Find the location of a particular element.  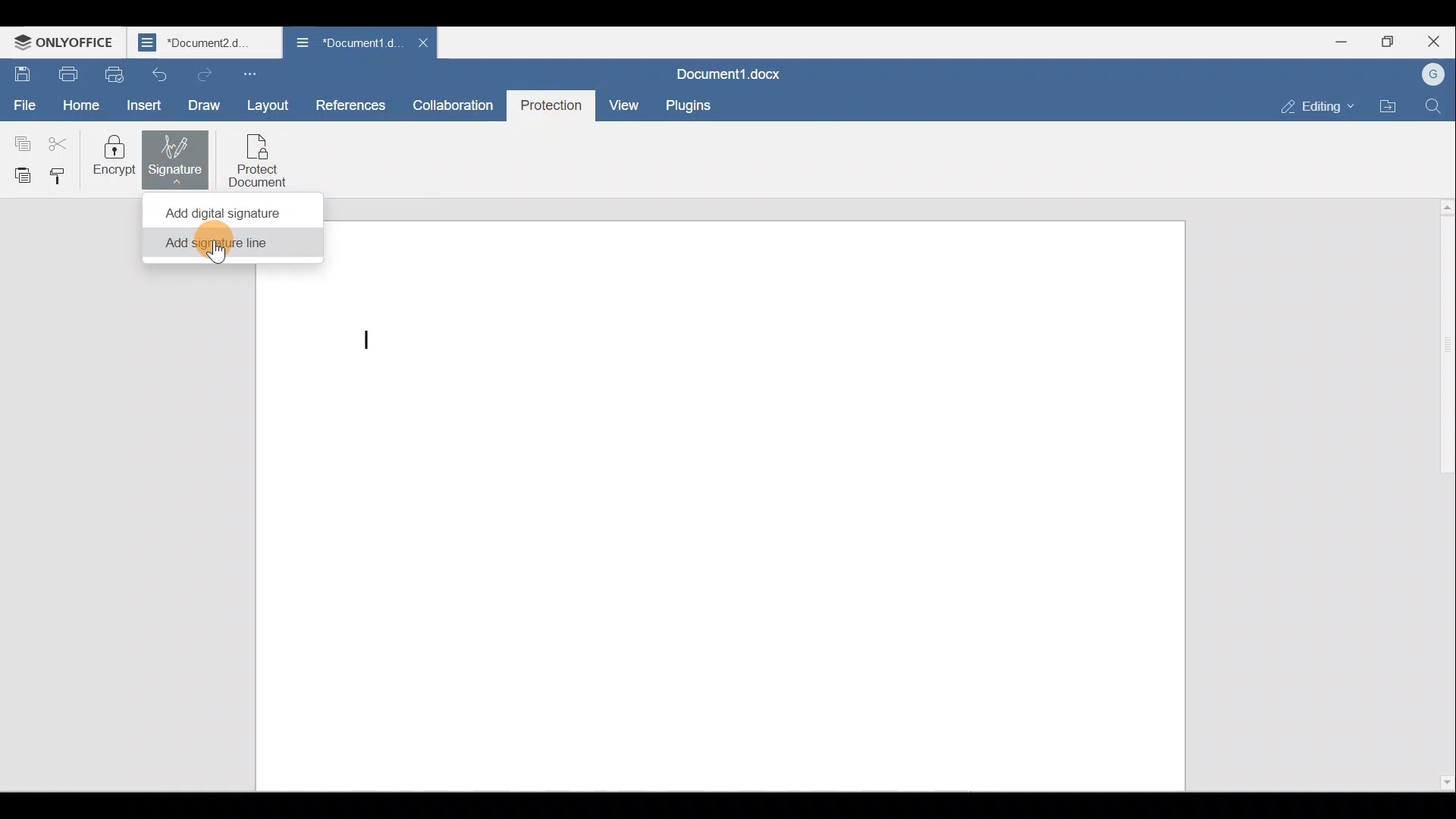

Protection is located at coordinates (551, 106).